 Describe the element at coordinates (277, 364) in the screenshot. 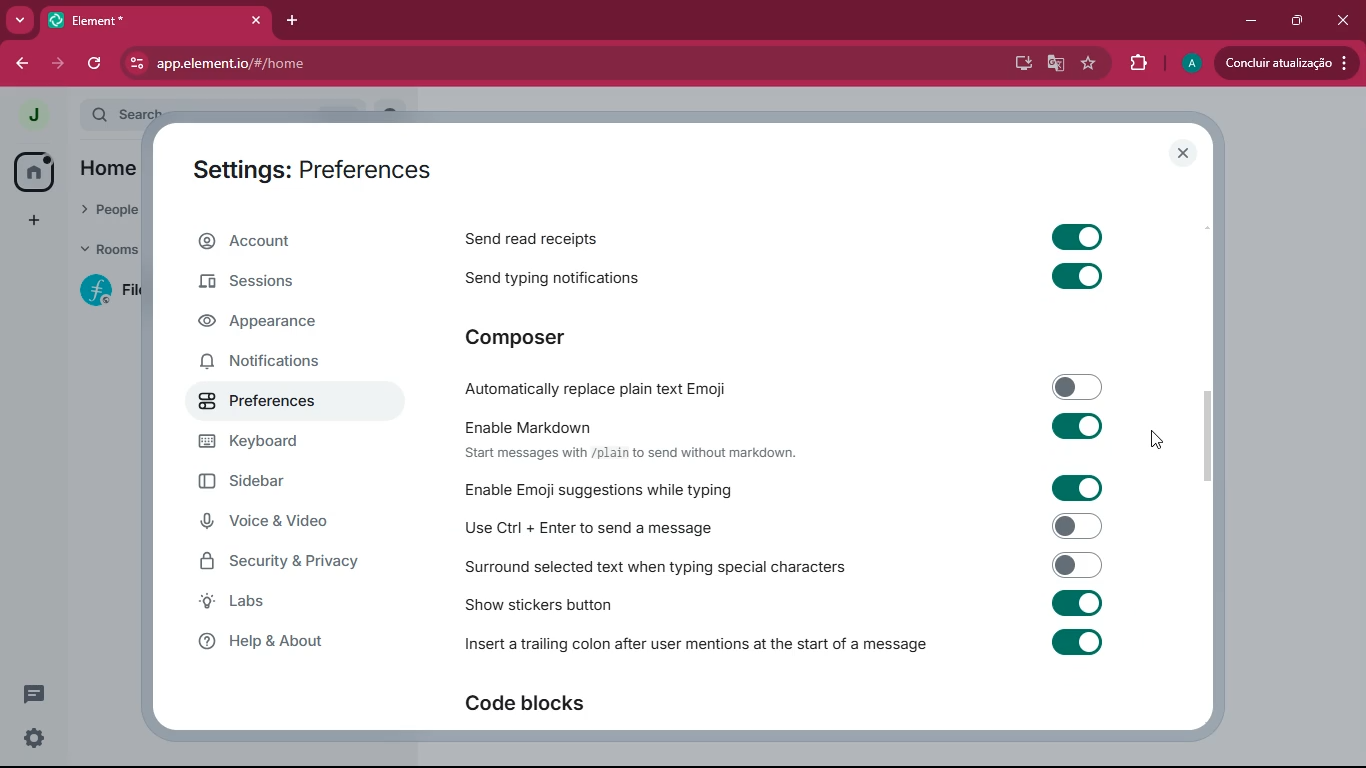

I see `notifications` at that location.